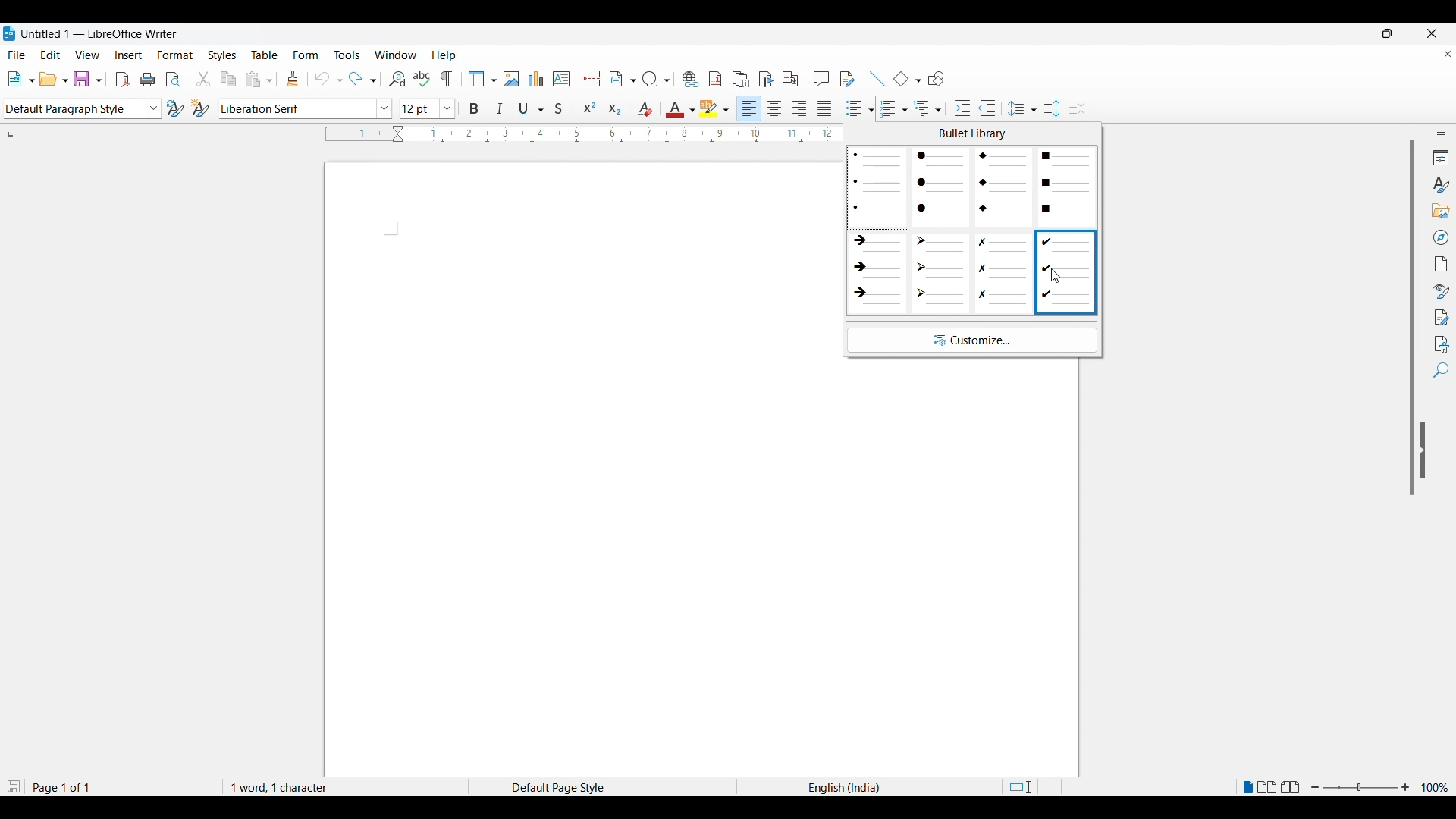 The height and width of the screenshot is (819, 1456). I want to click on Increase line spacing, so click(1050, 105).